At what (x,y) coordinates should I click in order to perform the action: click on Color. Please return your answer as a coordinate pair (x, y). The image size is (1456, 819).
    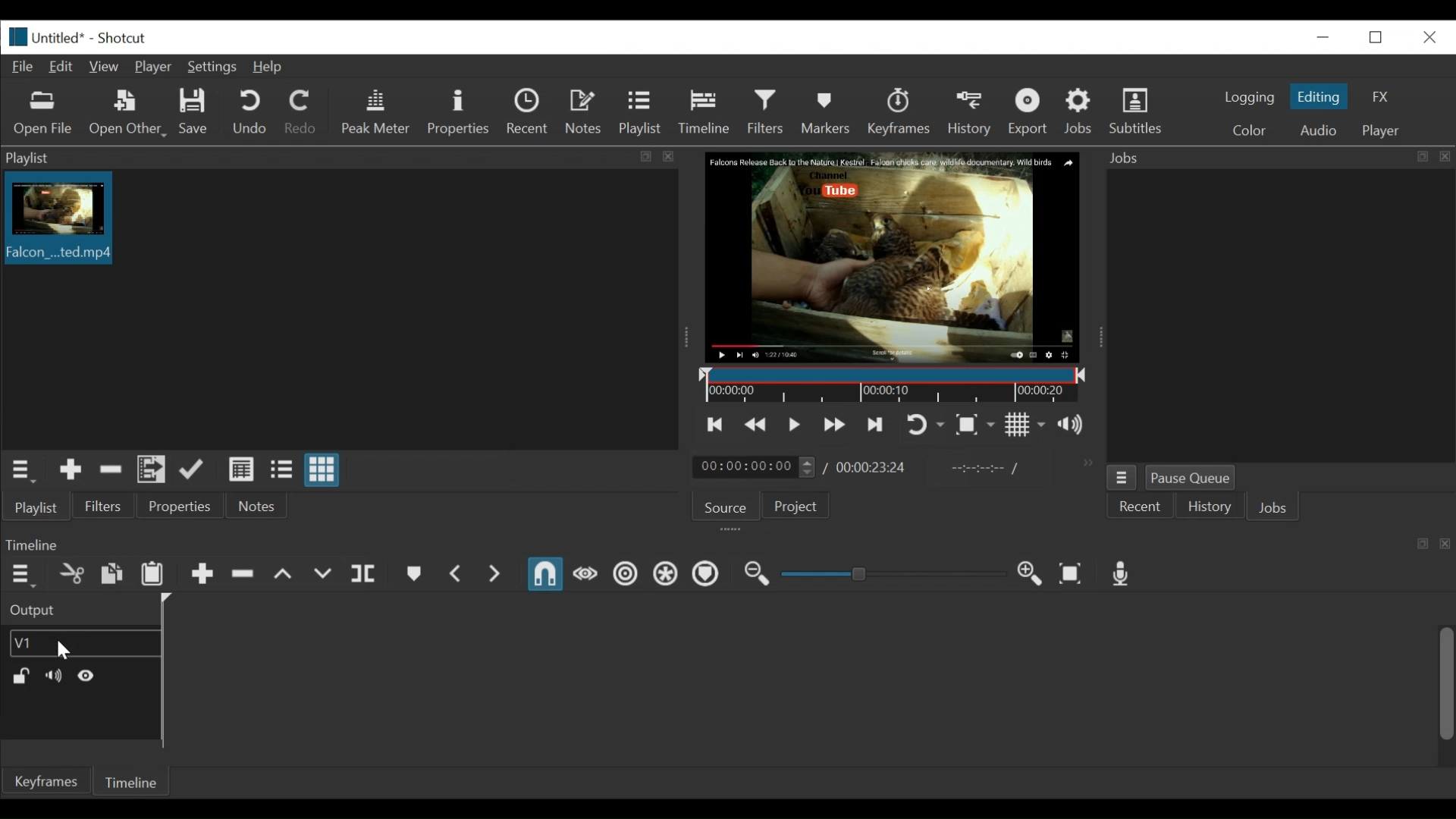
    Looking at the image, I should click on (1246, 130).